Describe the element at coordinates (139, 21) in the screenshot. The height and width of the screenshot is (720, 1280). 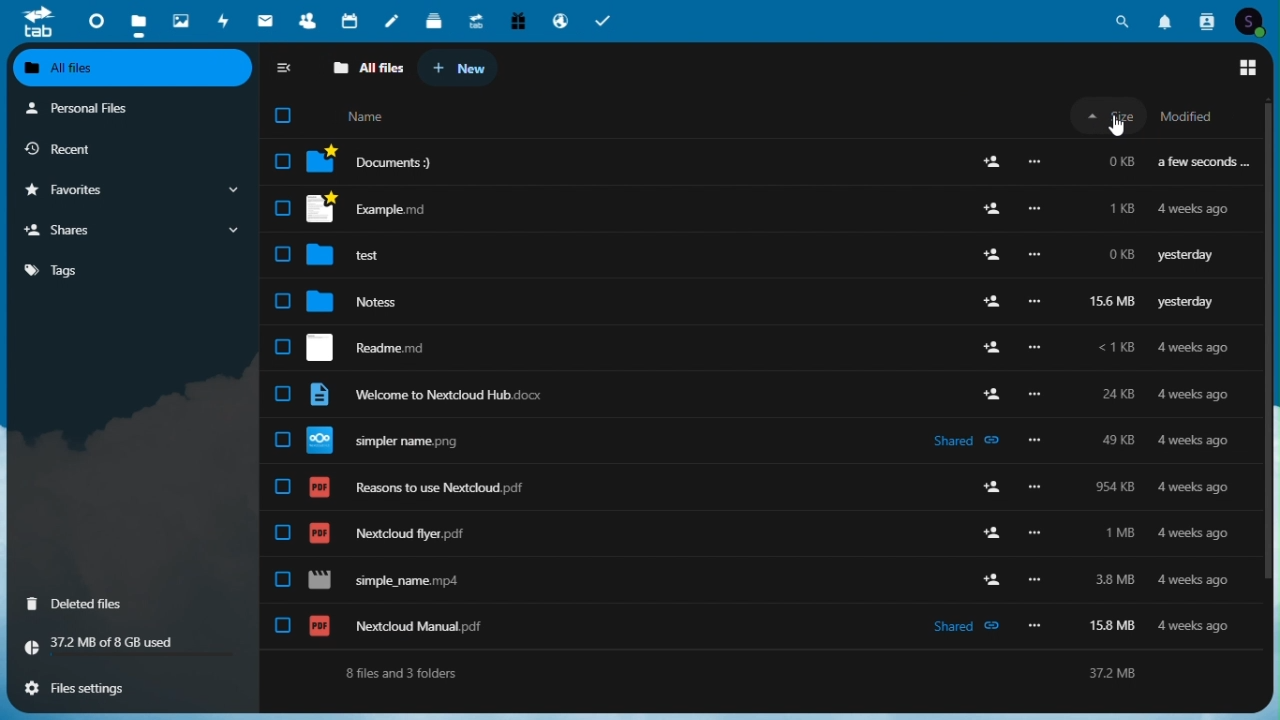
I see `Files` at that location.